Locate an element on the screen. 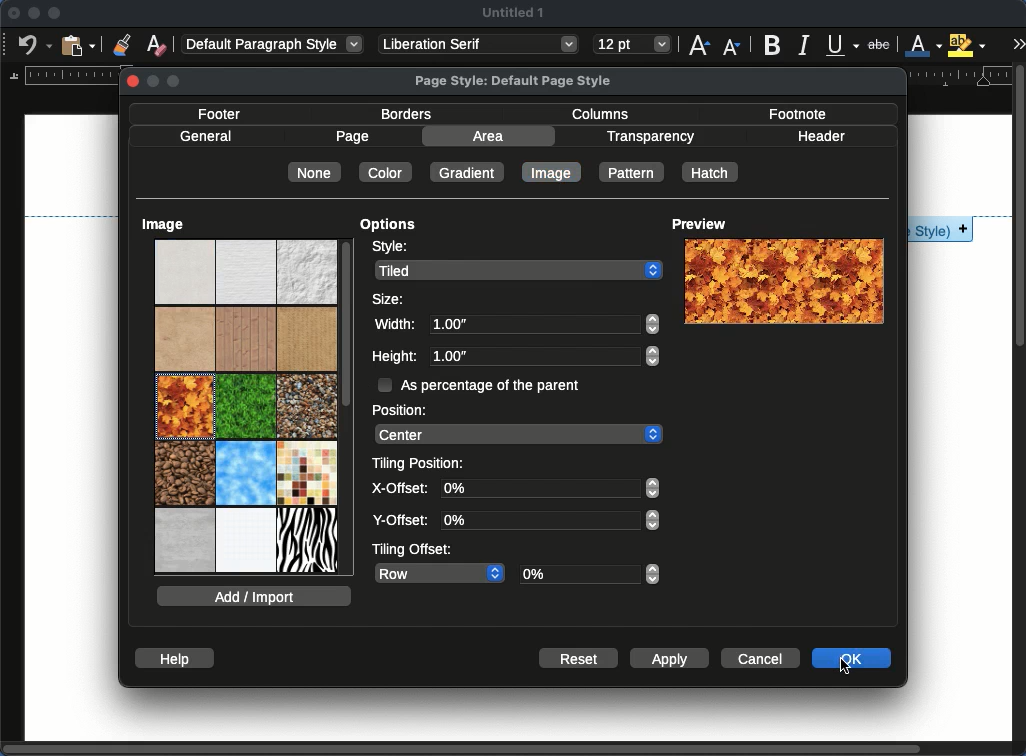 The width and height of the screenshot is (1026, 756). footnote is located at coordinates (799, 115).